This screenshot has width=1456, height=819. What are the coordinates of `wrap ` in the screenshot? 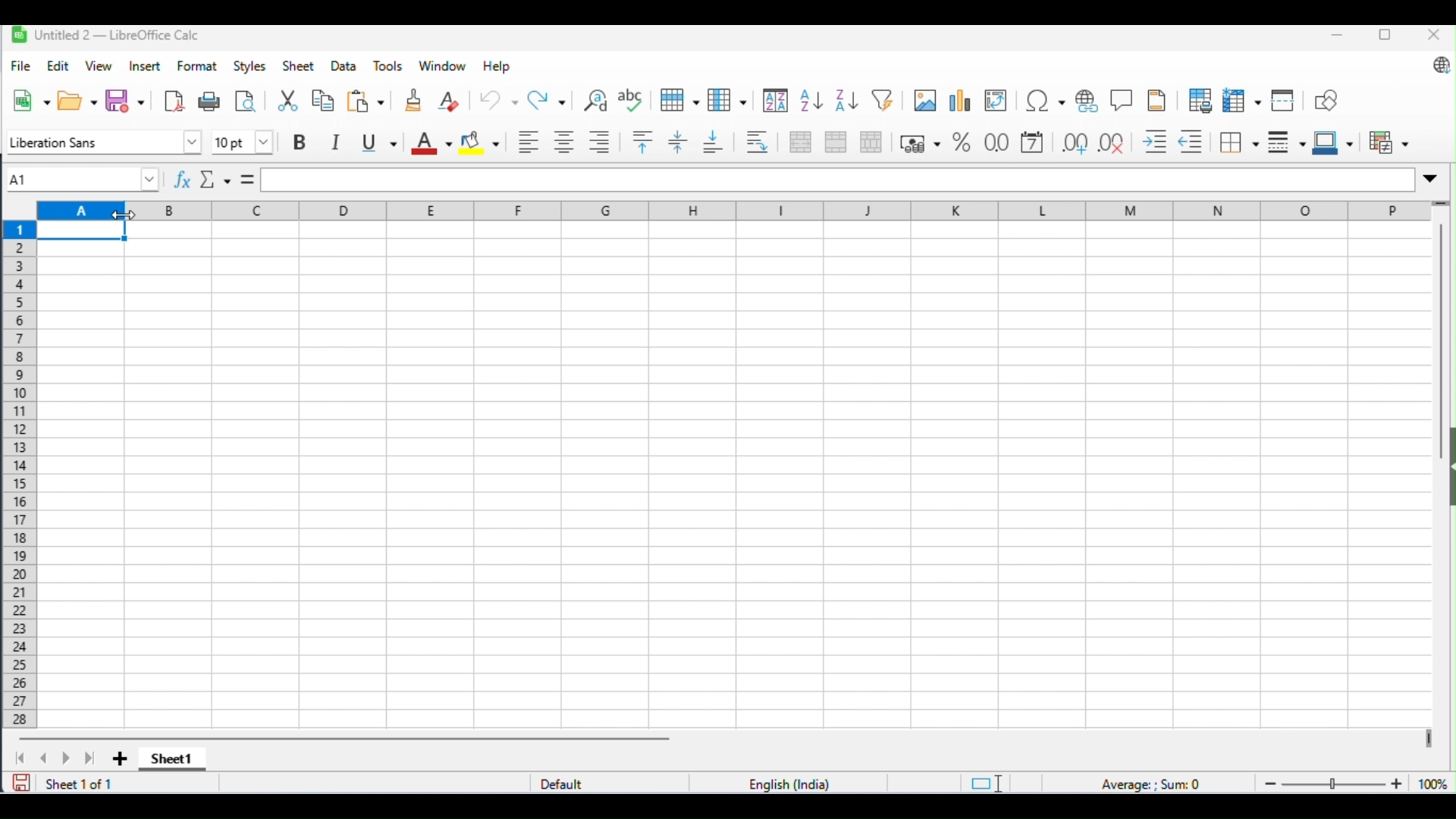 It's located at (759, 142).